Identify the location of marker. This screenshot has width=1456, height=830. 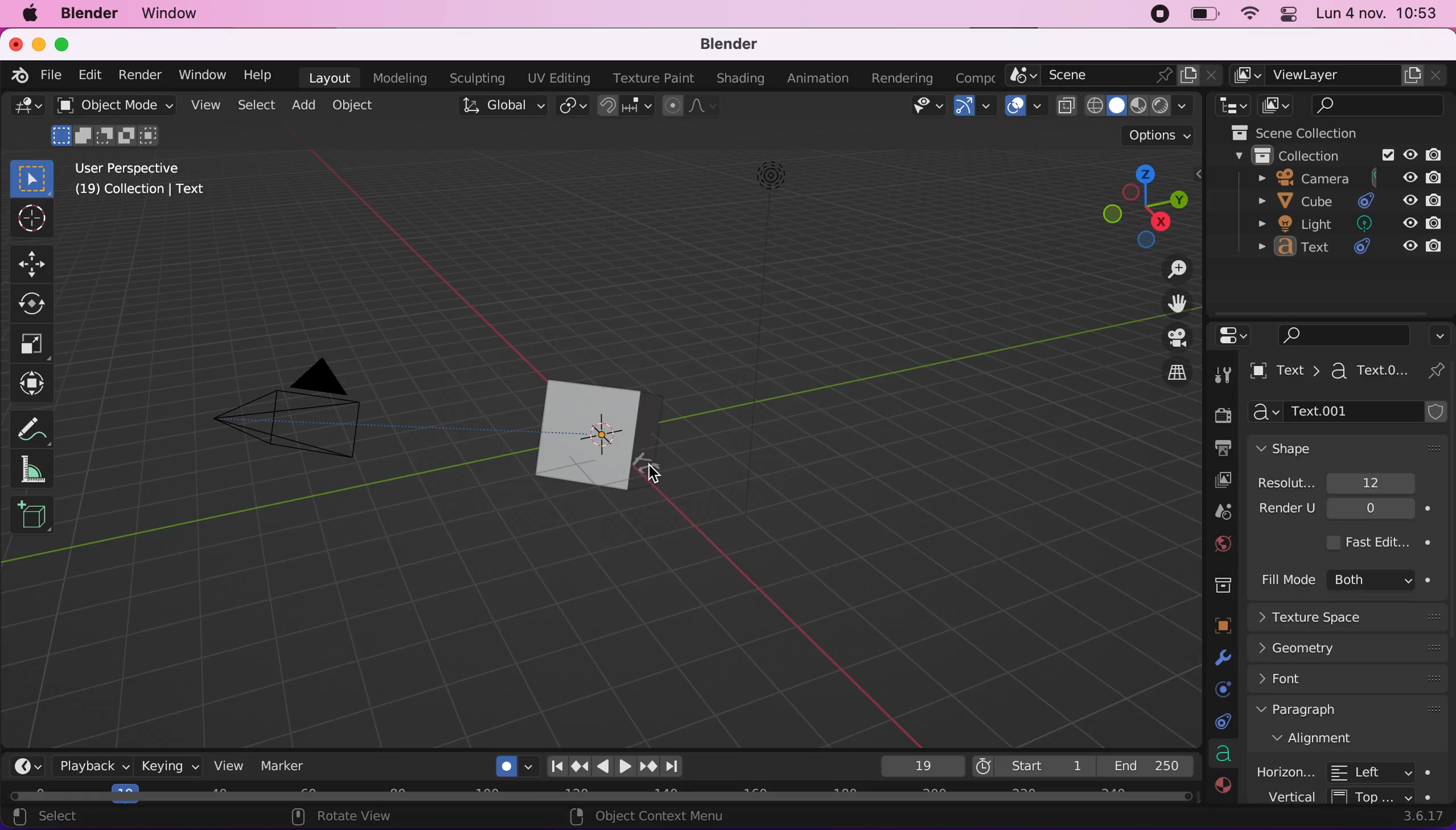
(283, 766).